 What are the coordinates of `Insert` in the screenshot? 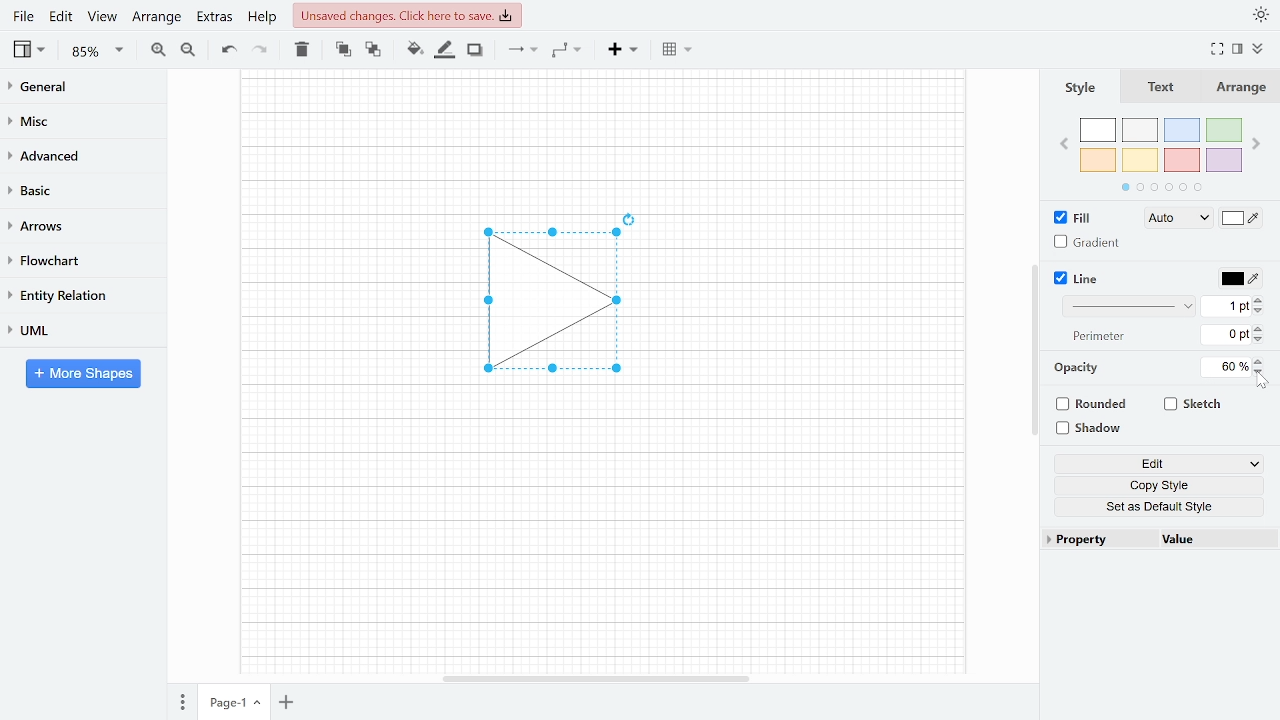 It's located at (623, 48).